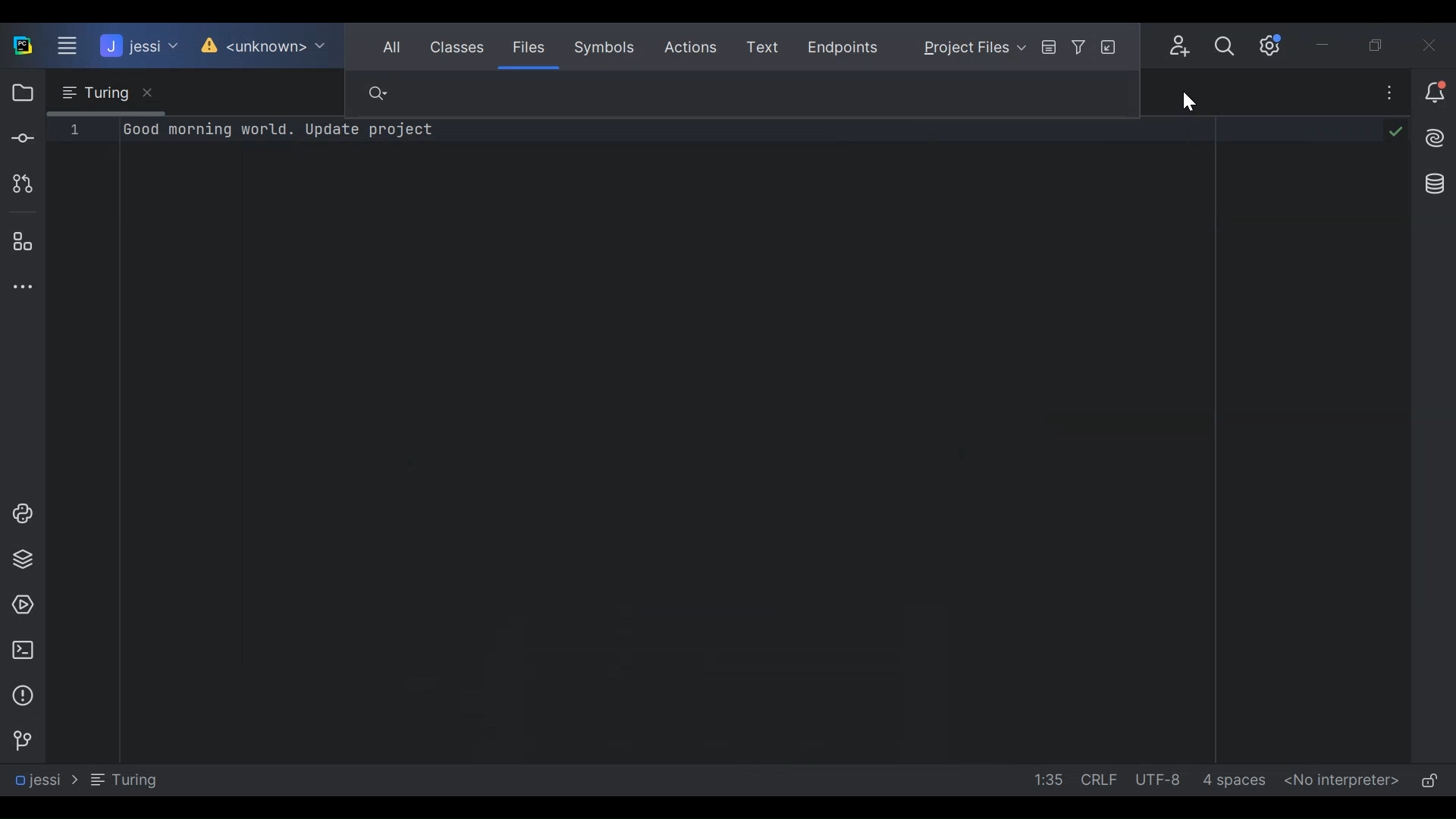 The width and height of the screenshot is (1456, 819). What do you see at coordinates (1111, 47) in the screenshot?
I see `Open in File tool window` at bounding box center [1111, 47].